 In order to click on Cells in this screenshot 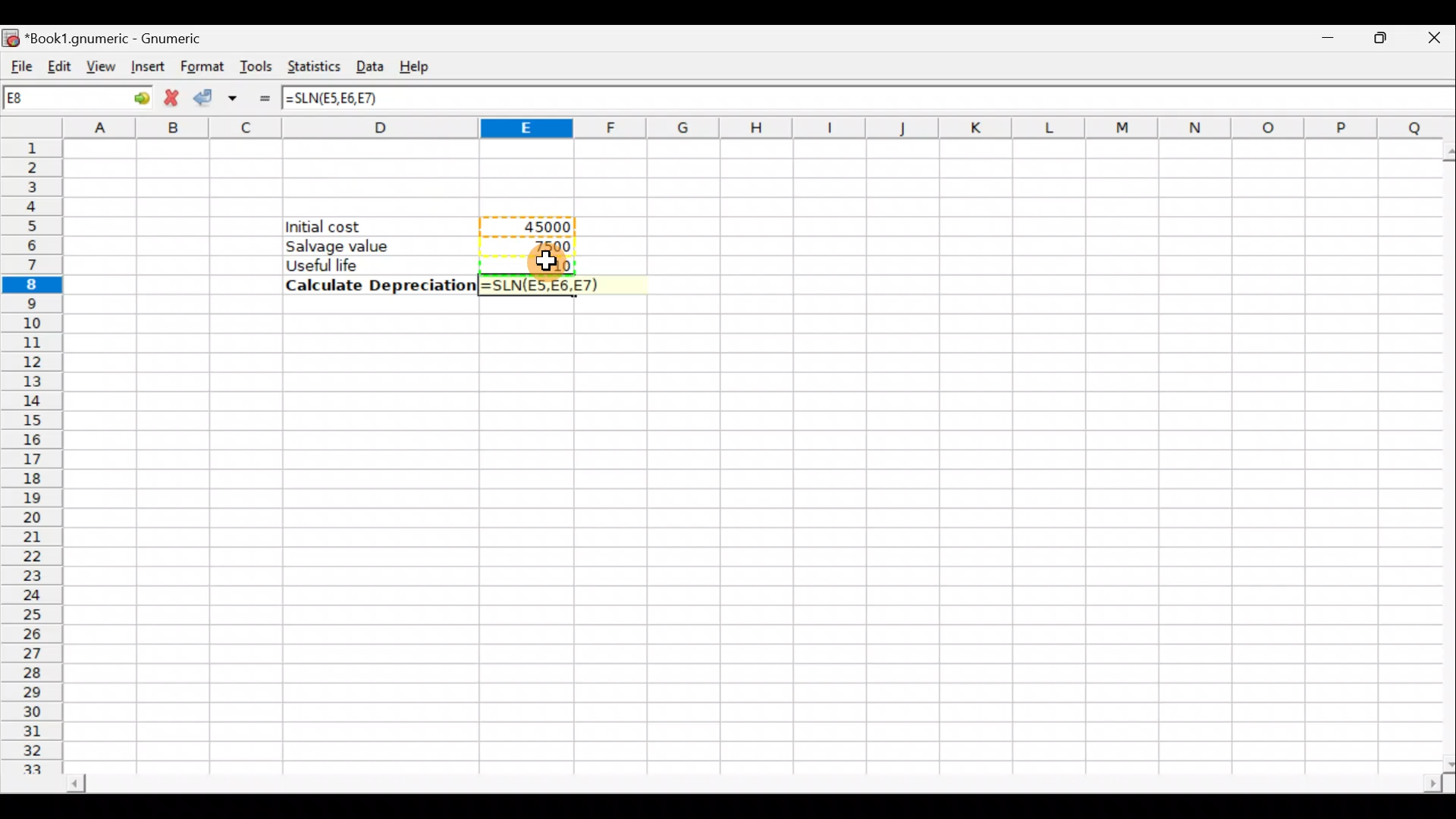, I will do `click(747, 538)`.